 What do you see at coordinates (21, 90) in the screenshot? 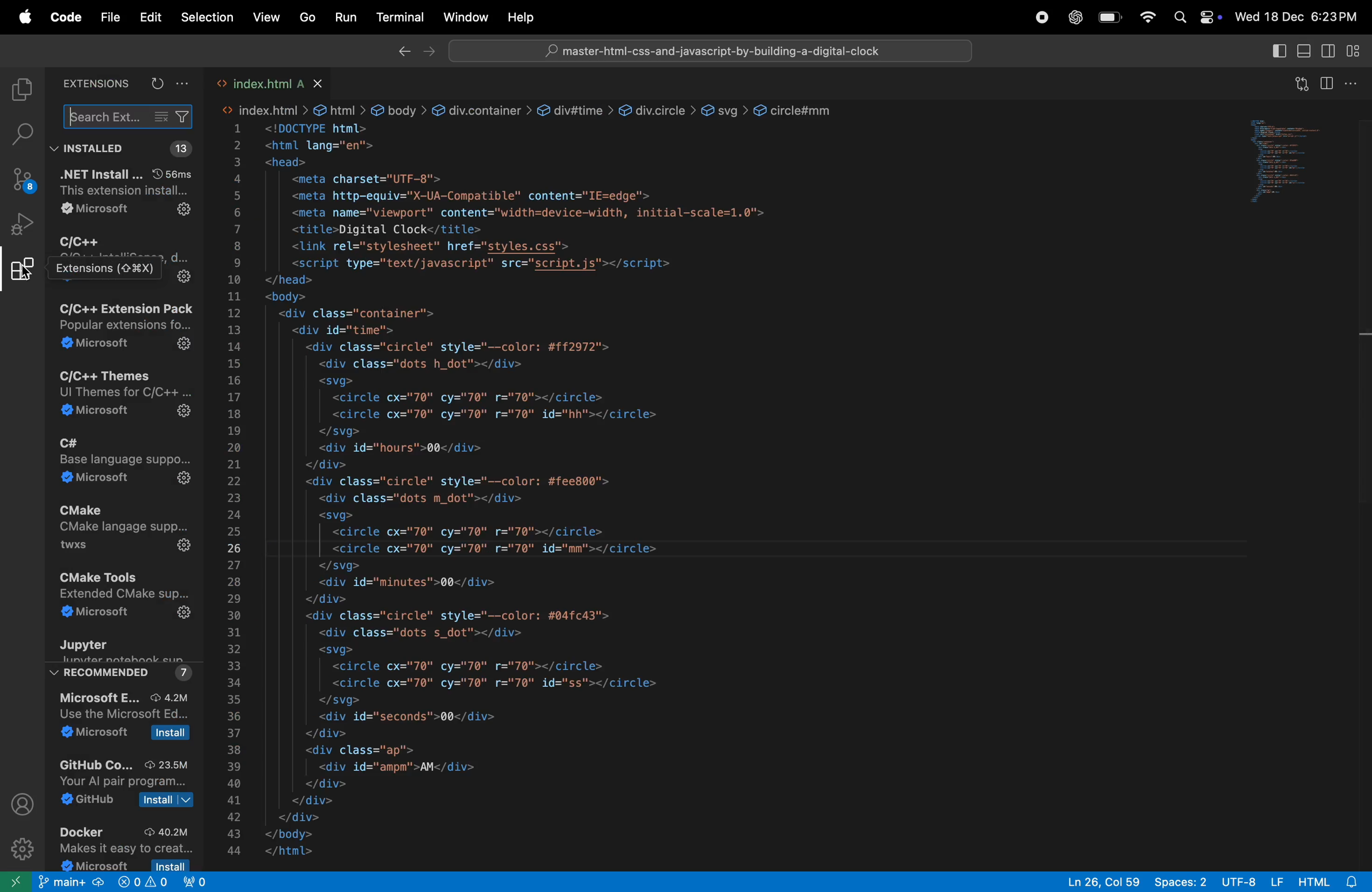
I see `explore` at bounding box center [21, 90].